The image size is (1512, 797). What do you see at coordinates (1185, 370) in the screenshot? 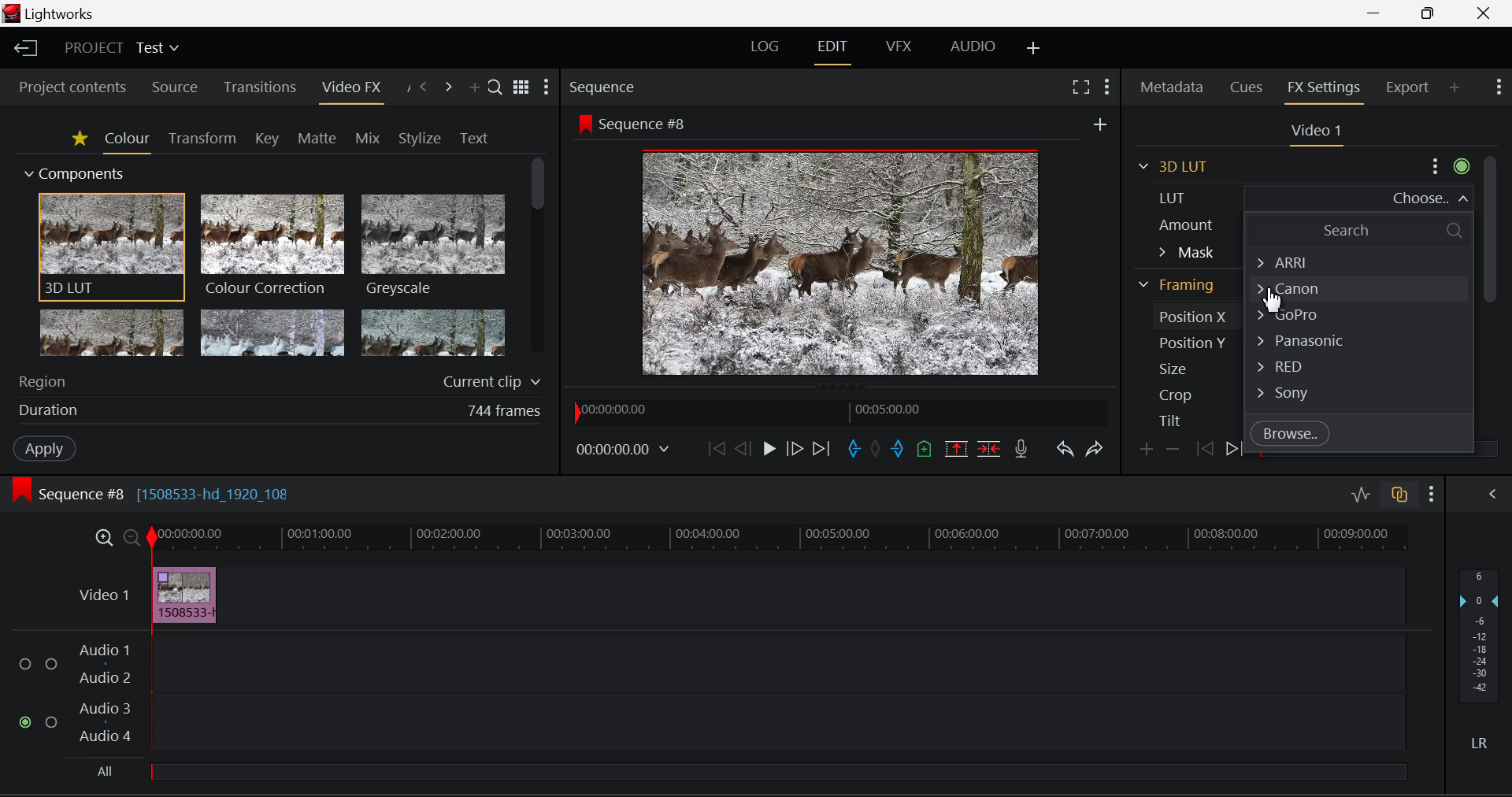
I see `Size` at bounding box center [1185, 370].